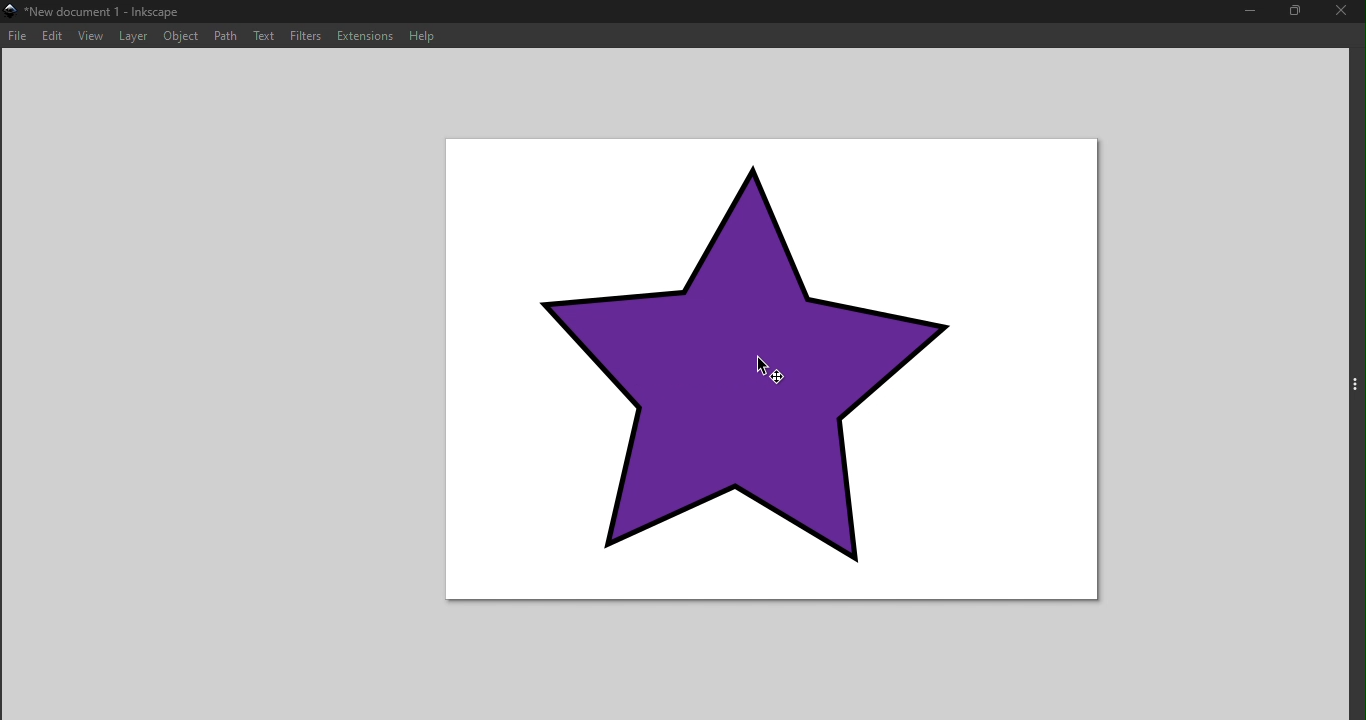 The image size is (1366, 720). I want to click on cursor, so click(764, 364).